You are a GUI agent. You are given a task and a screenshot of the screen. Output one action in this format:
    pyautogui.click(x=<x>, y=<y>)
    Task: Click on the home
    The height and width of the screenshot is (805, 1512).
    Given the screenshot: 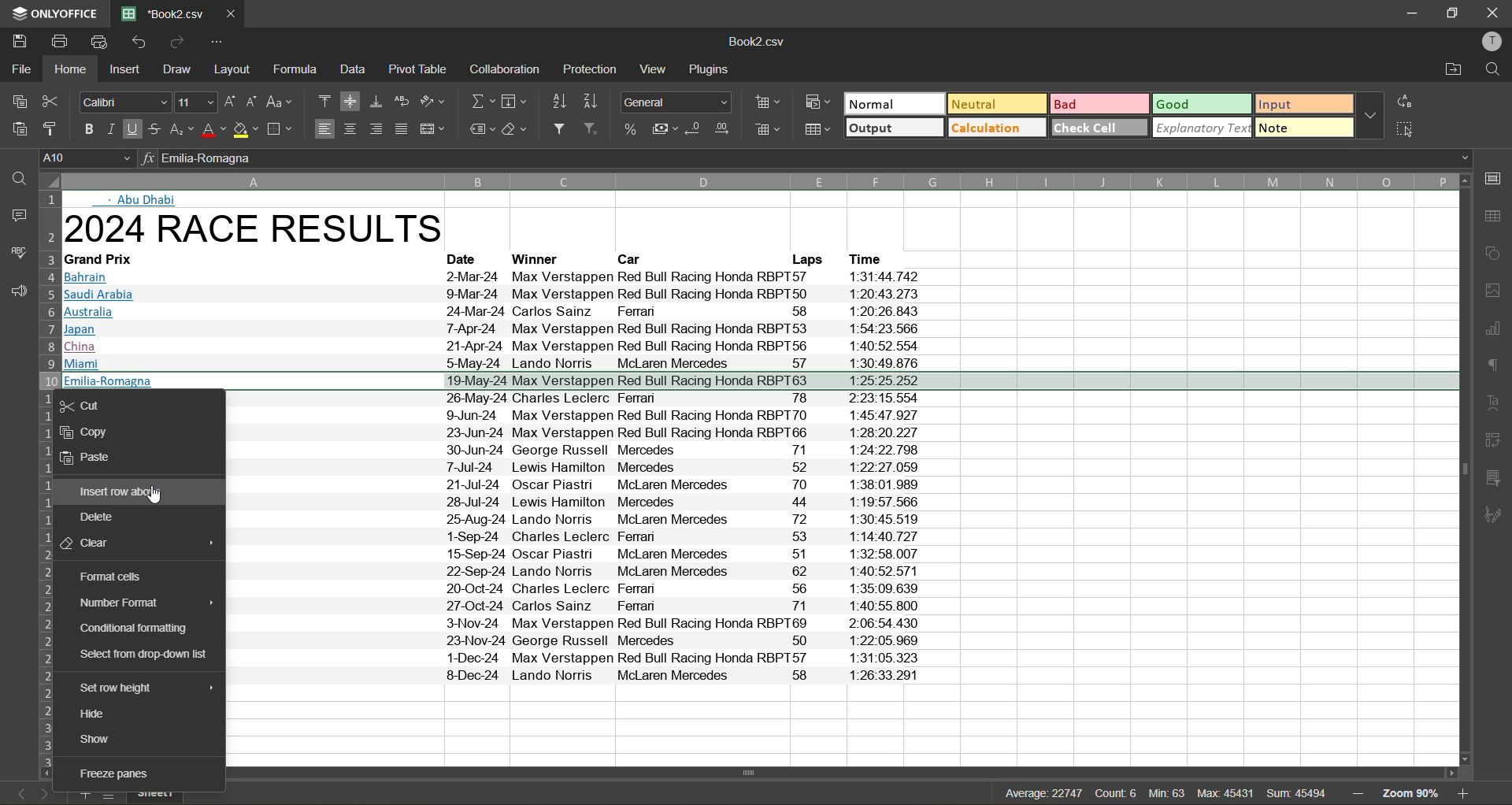 What is the action you would take?
    pyautogui.click(x=70, y=68)
    